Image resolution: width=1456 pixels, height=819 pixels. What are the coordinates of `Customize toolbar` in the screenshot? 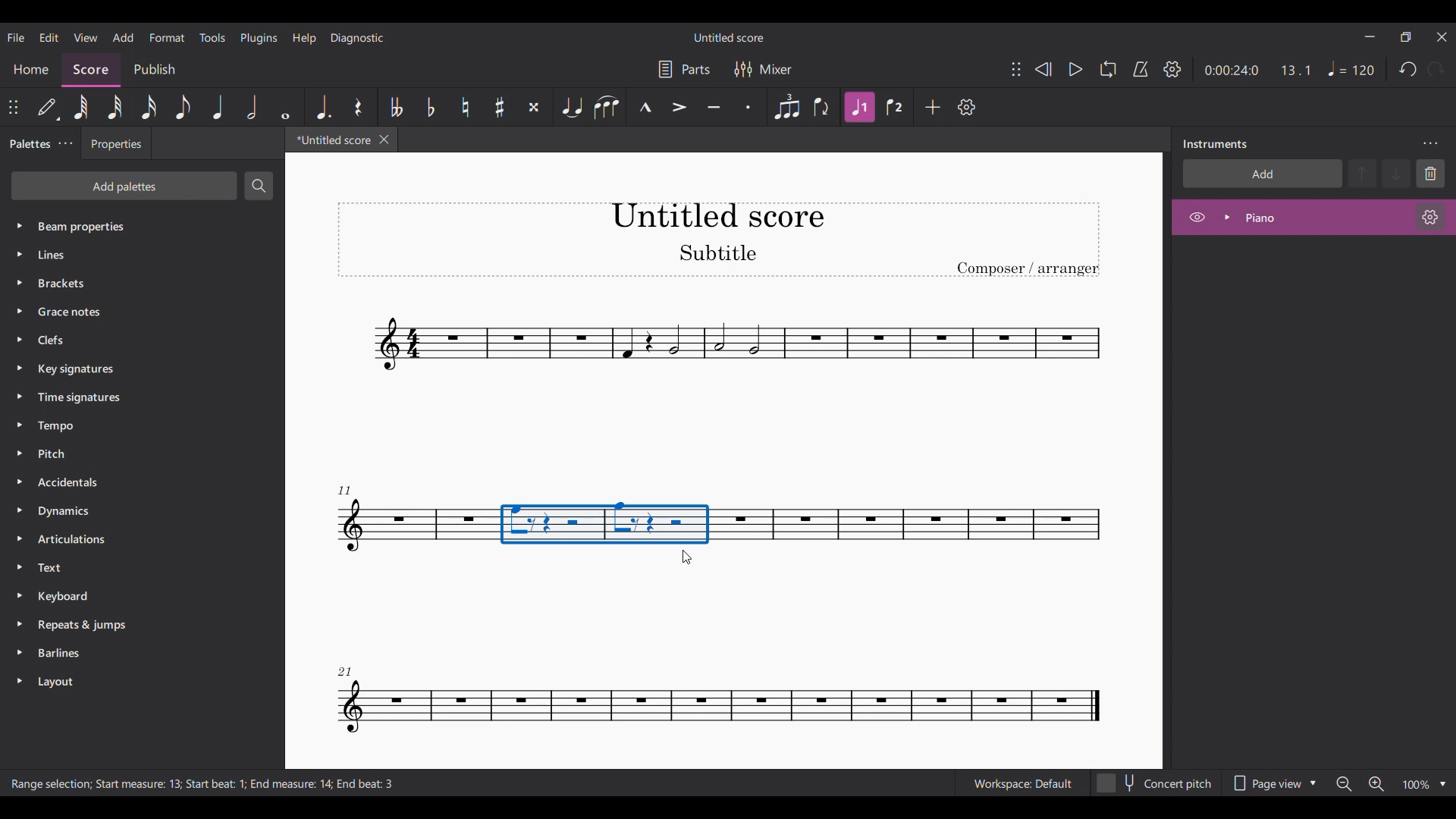 It's located at (966, 108).